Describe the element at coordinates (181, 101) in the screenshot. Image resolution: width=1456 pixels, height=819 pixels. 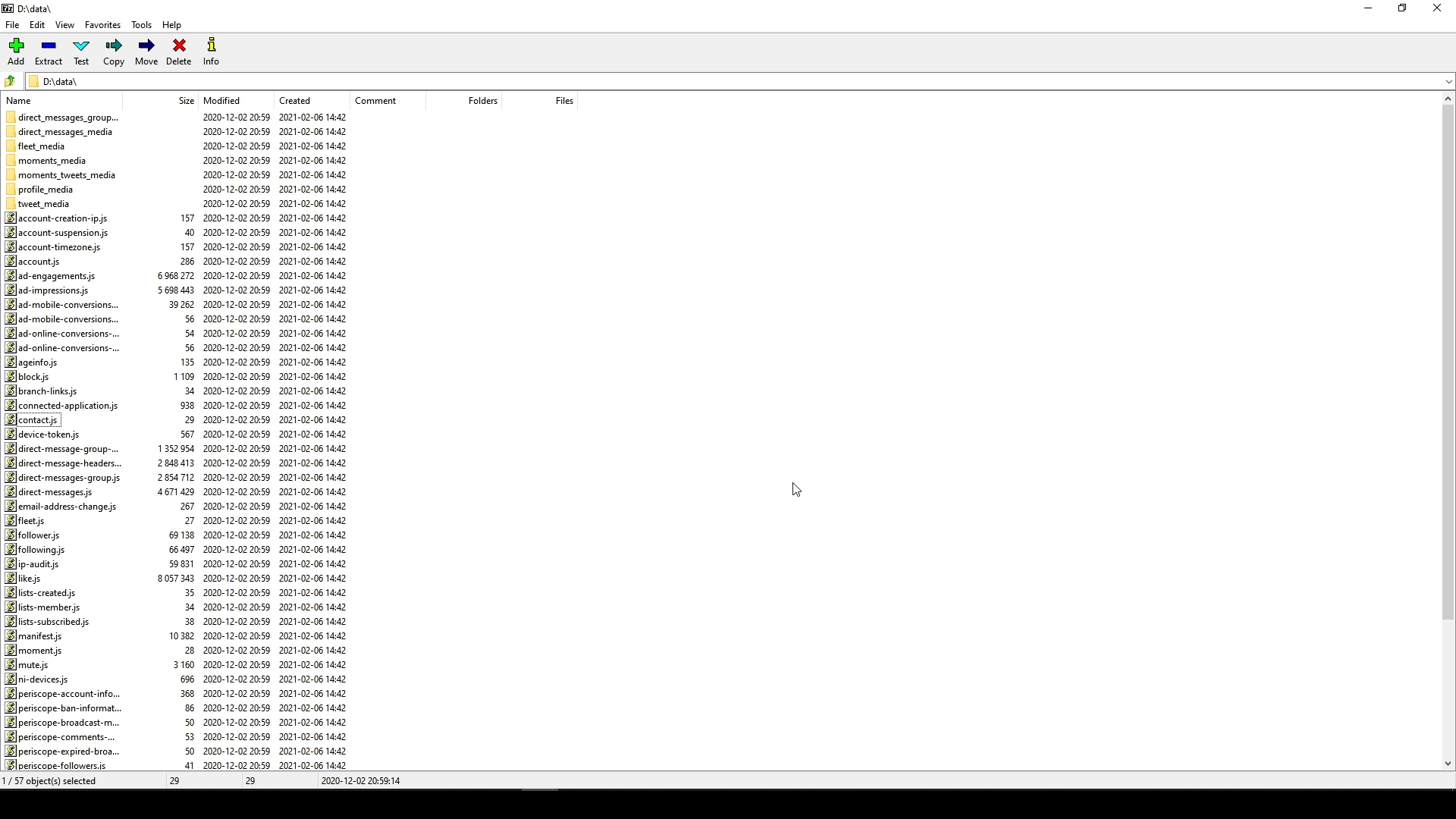
I see `size` at that location.